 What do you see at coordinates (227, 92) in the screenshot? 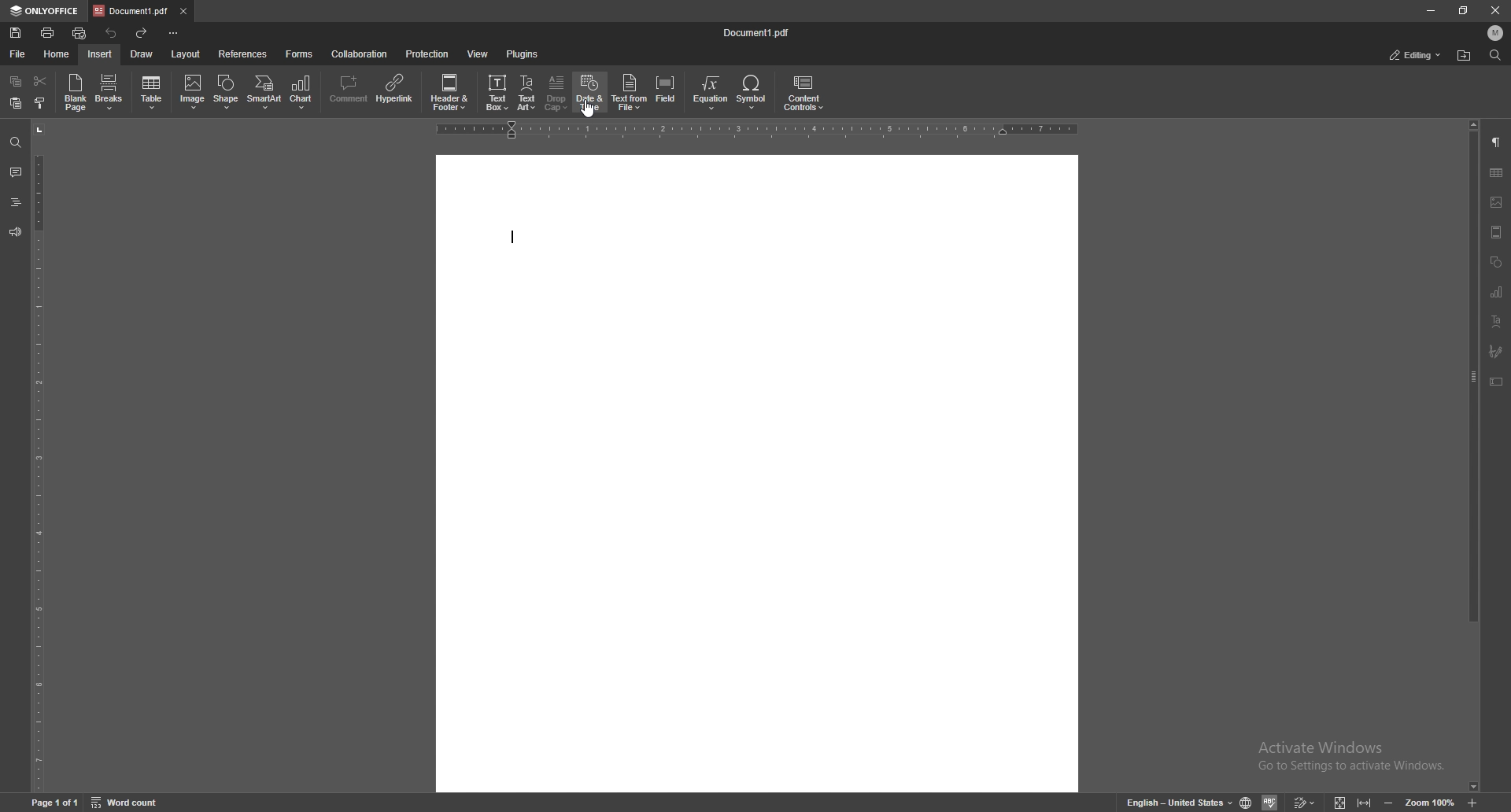
I see `shape` at bounding box center [227, 92].